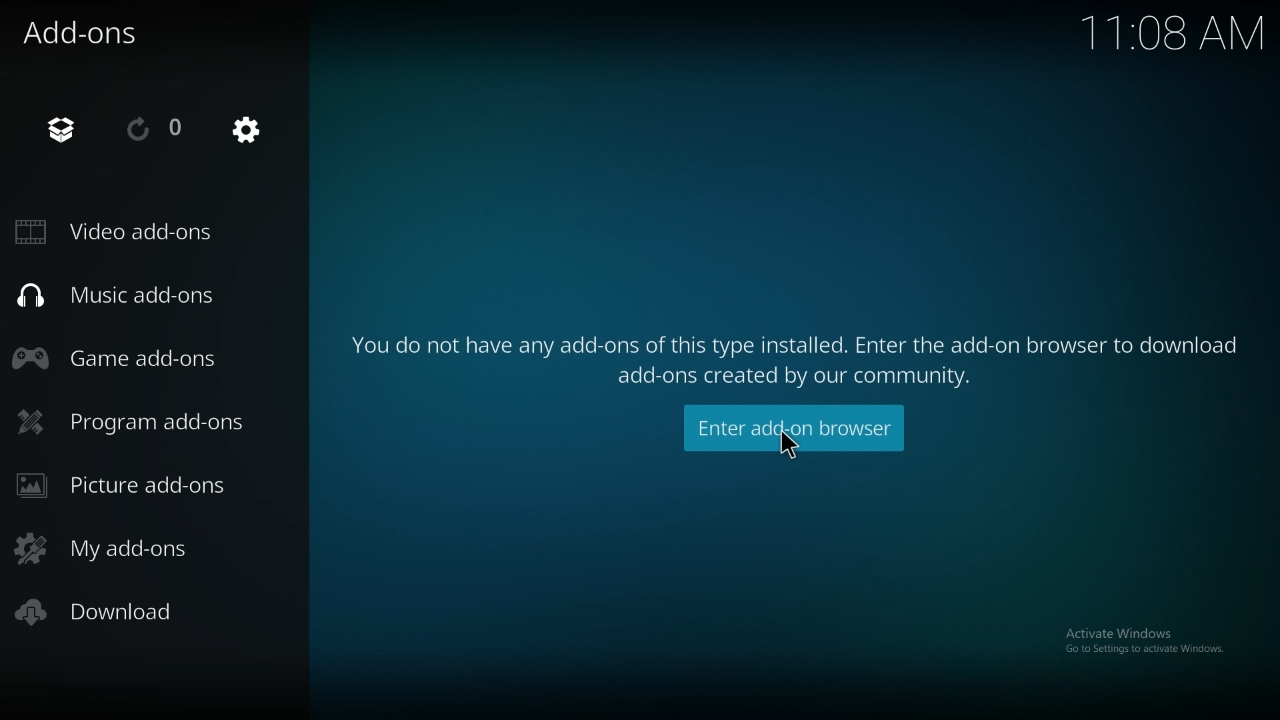 The height and width of the screenshot is (720, 1280). I want to click on program add ons, so click(135, 421).